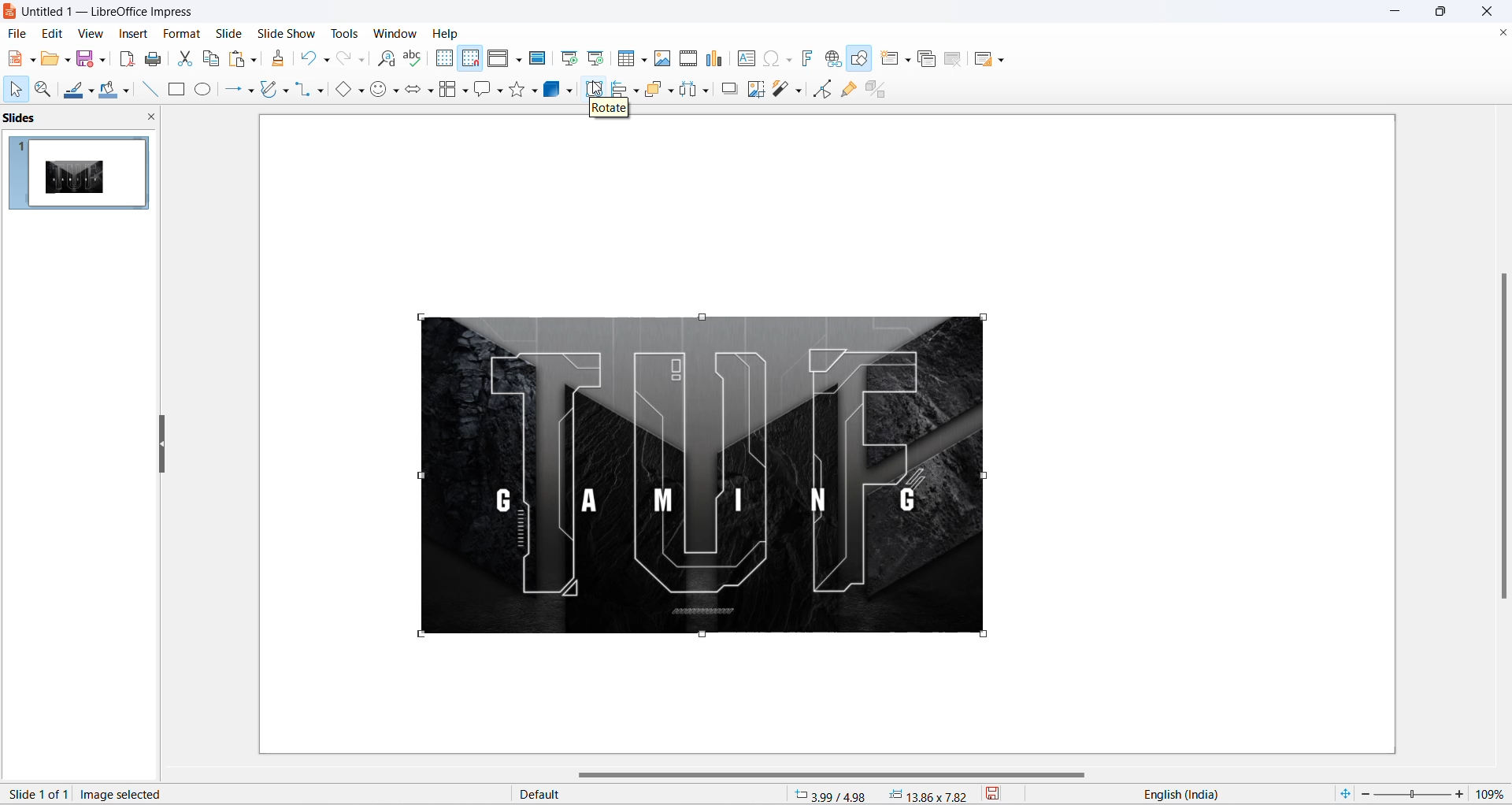 The height and width of the screenshot is (805, 1512). I want to click on slide show, so click(289, 32).